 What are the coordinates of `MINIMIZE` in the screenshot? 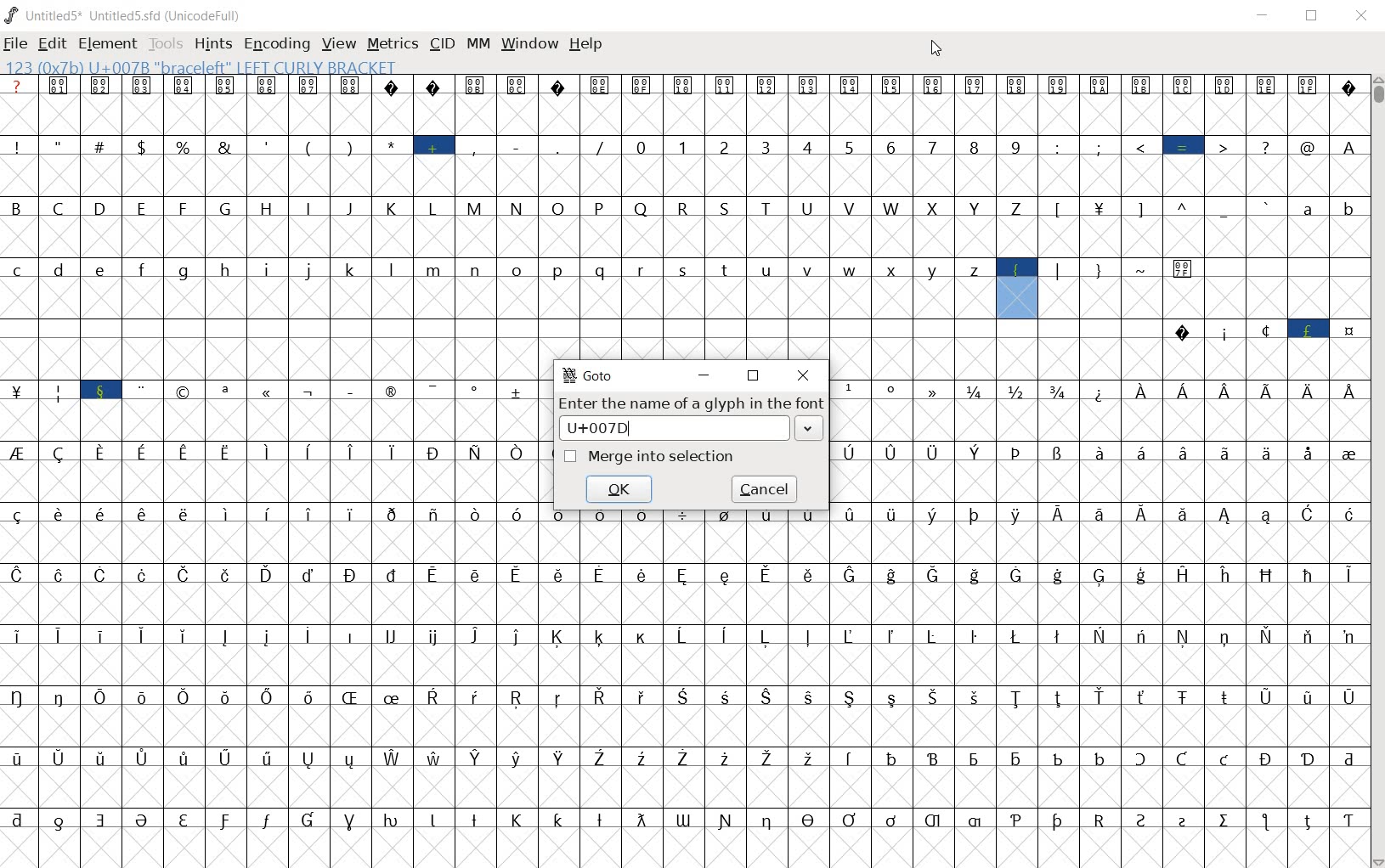 It's located at (1264, 15).